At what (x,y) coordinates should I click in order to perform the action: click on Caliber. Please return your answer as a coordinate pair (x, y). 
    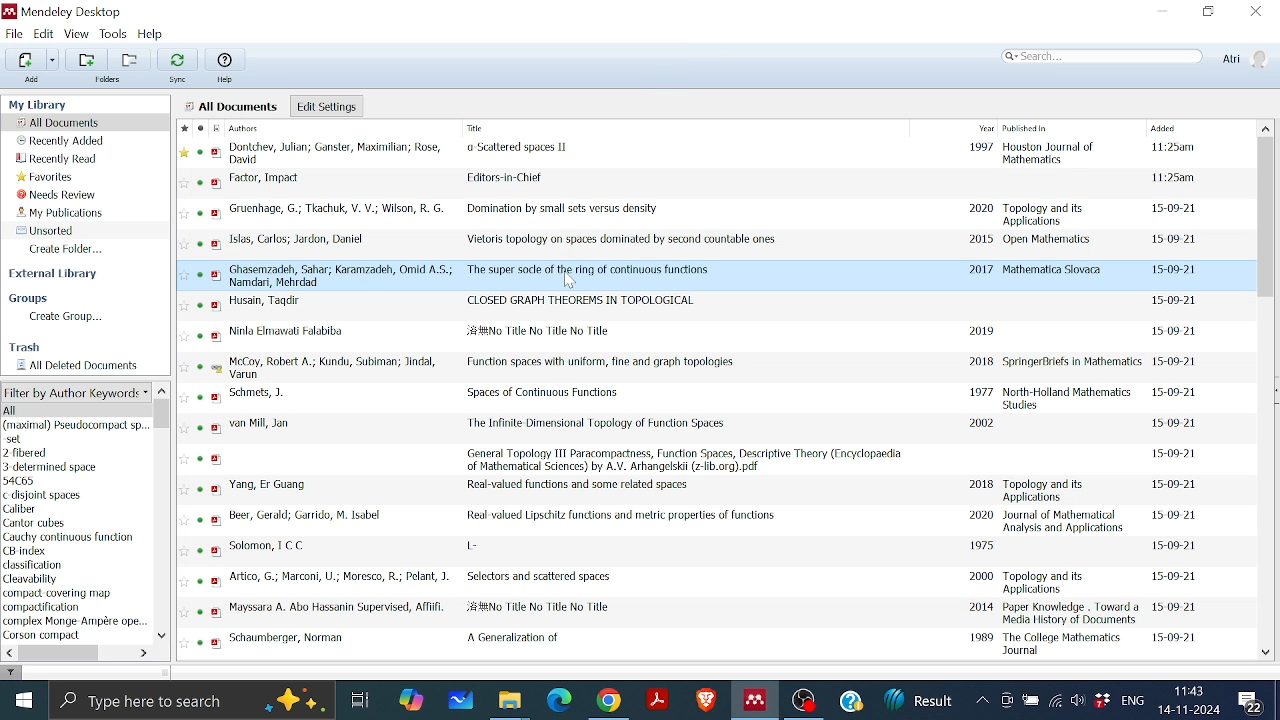
    Looking at the image, I should click on (21, 510).